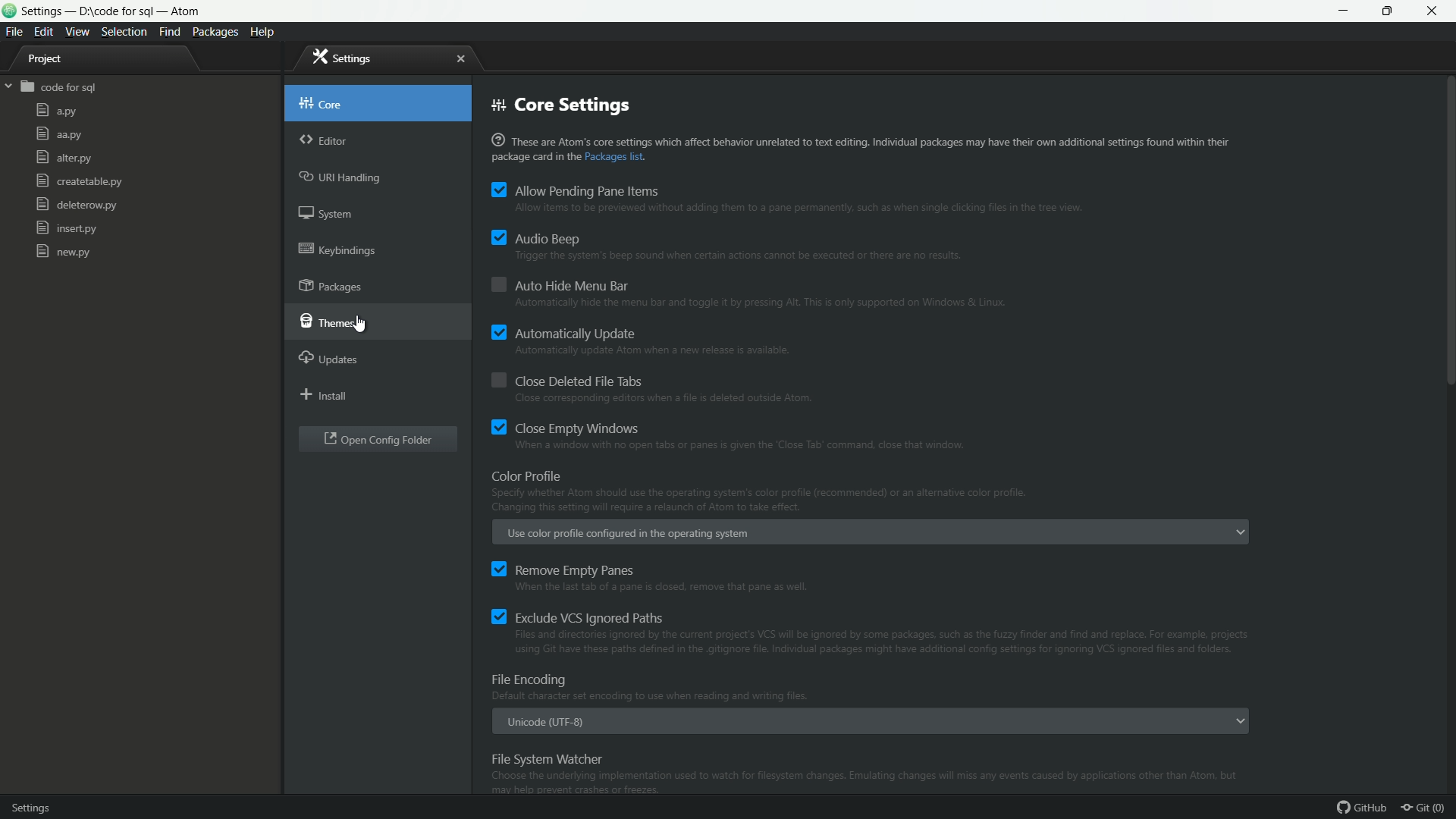 This screenshot has width=1456, height=819. What do you see at coordinates (78, 32) in the screenshot?
I see `view menu` at bounding box center [78, 32].